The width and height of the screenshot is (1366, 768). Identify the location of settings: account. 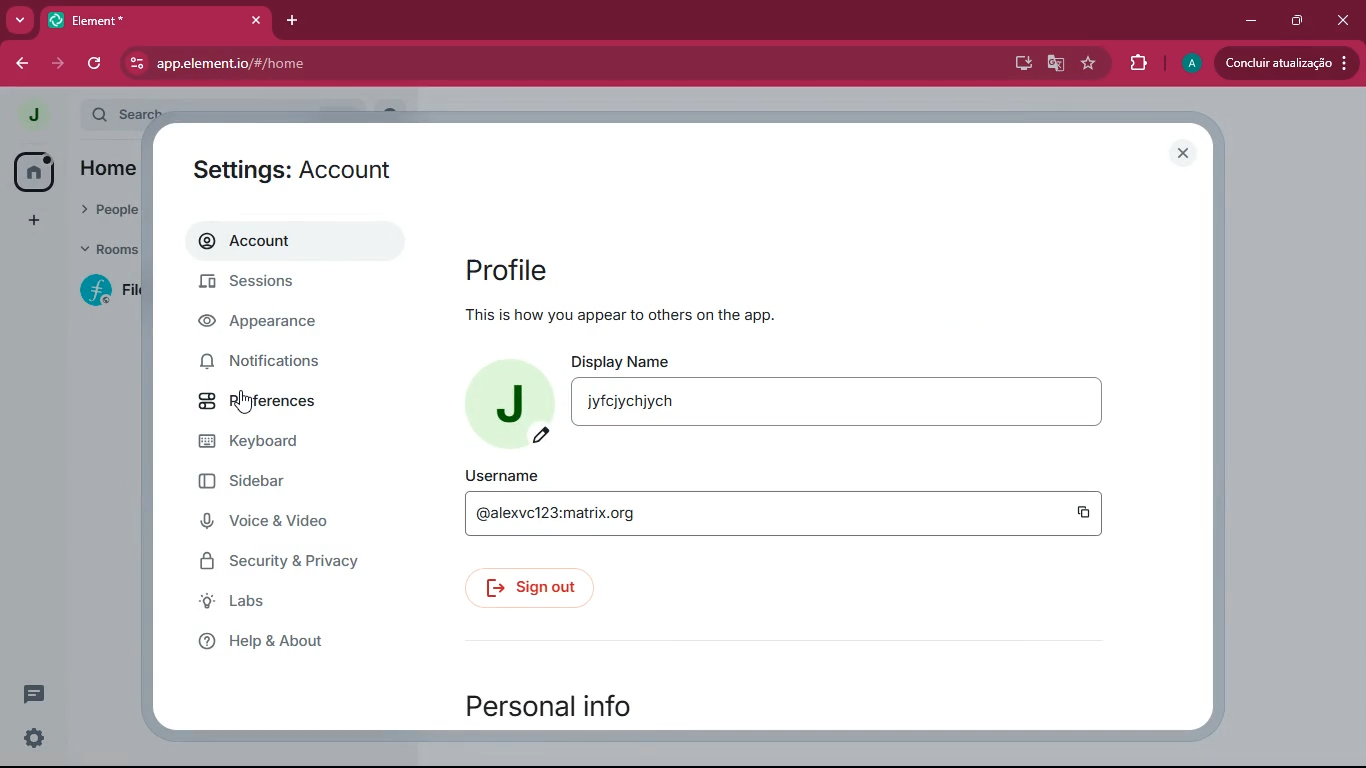
(295, 171).